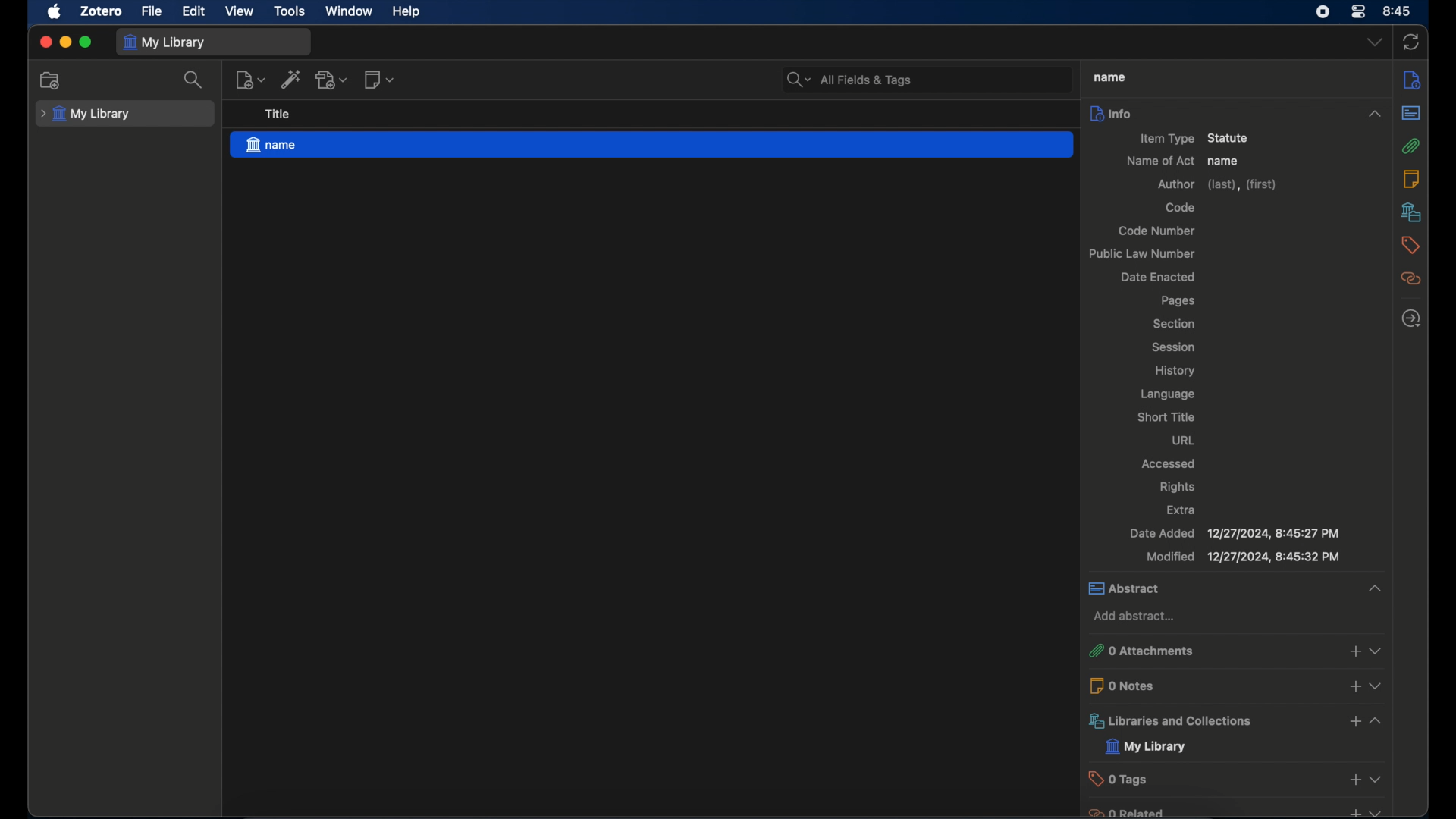 Image resolution: width=1456 pixels, height=819 pixels. Describe the element at coordinates (1213, 587) in the screenshot. I see `abstract` at that location.